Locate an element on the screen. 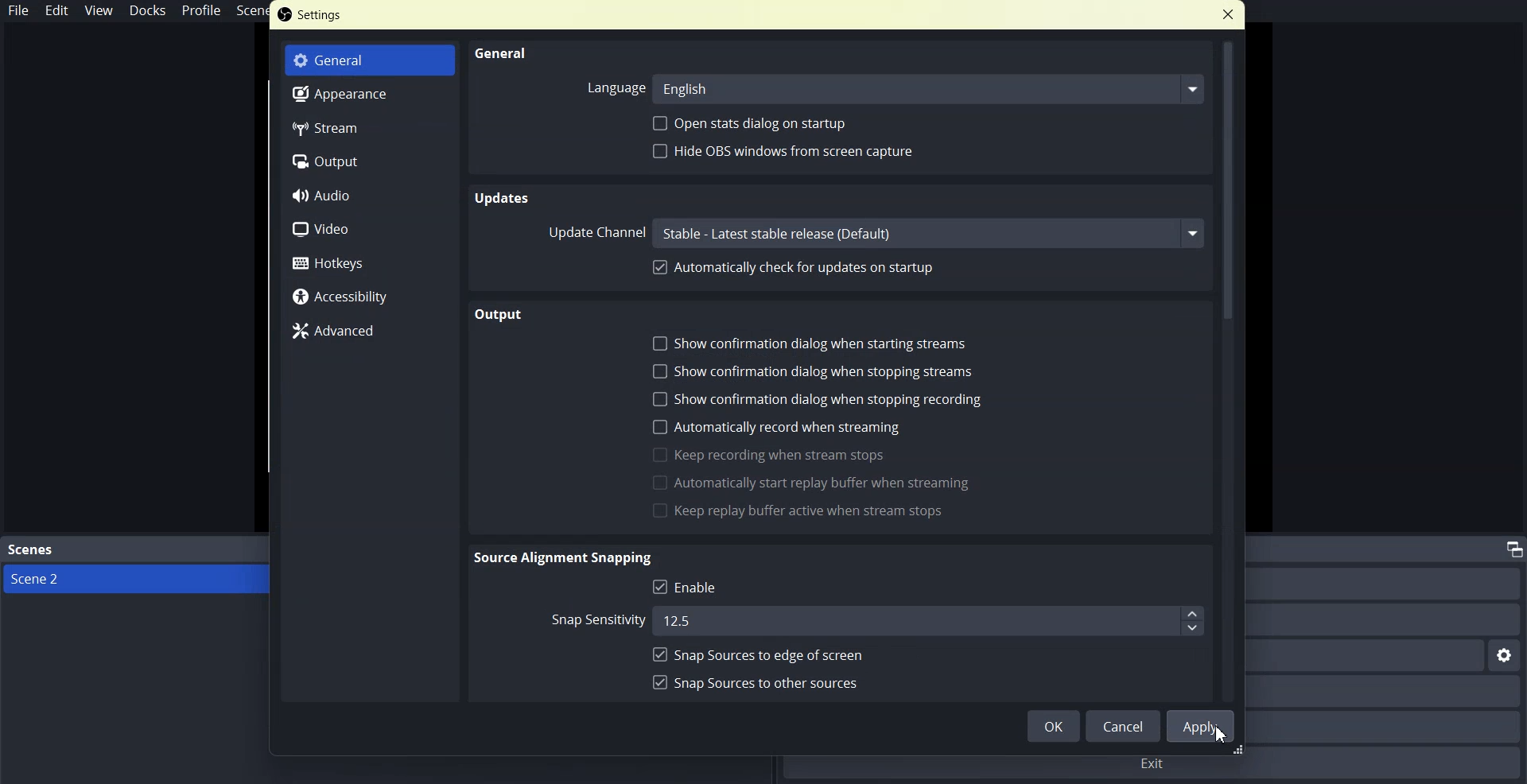 The image size is (1527, 784). Hyde ops window from screen capture is located at coordinates (783, 153).